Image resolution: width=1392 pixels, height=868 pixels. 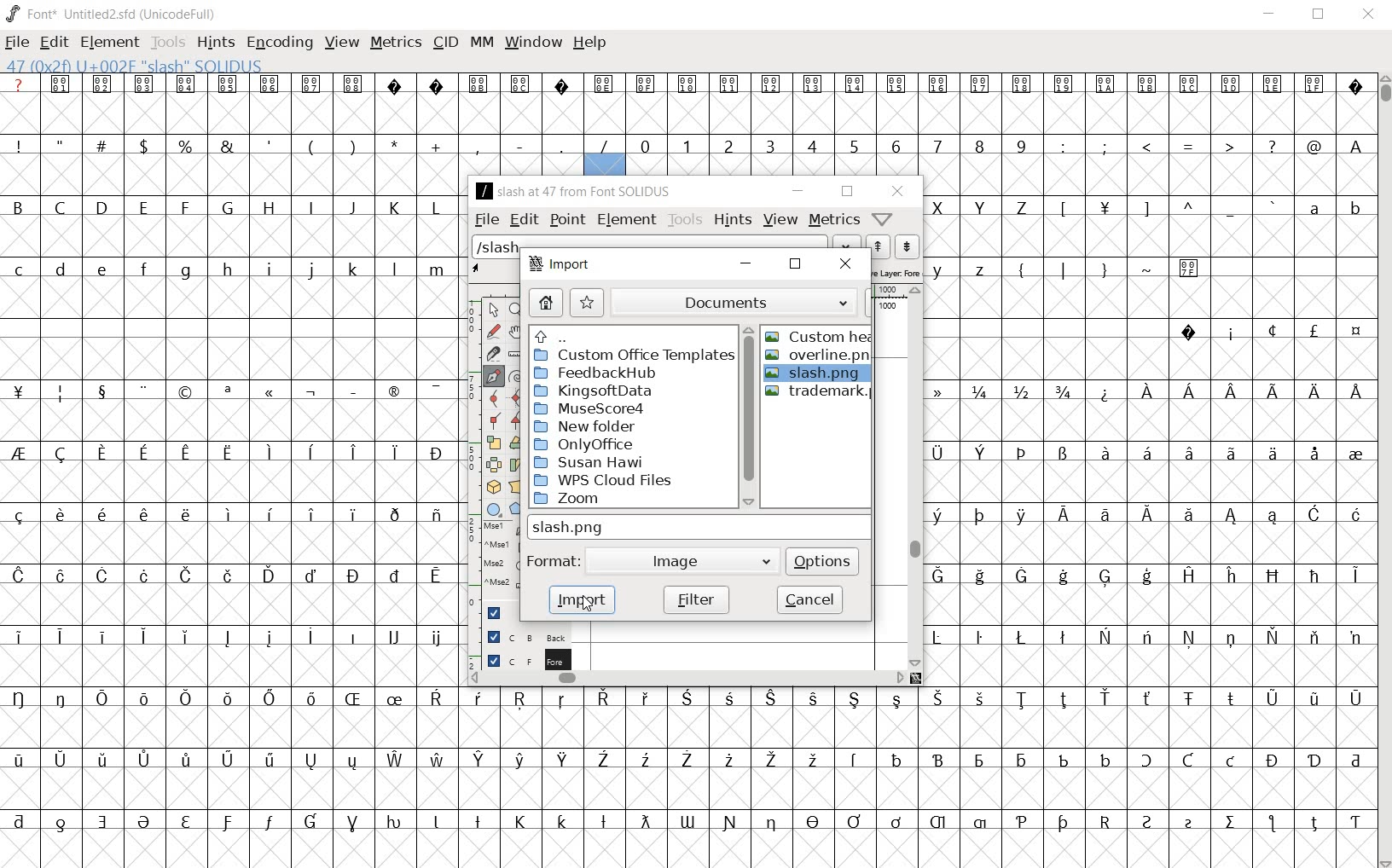 I want to click on empty cells, so click(x=1149, y=299).